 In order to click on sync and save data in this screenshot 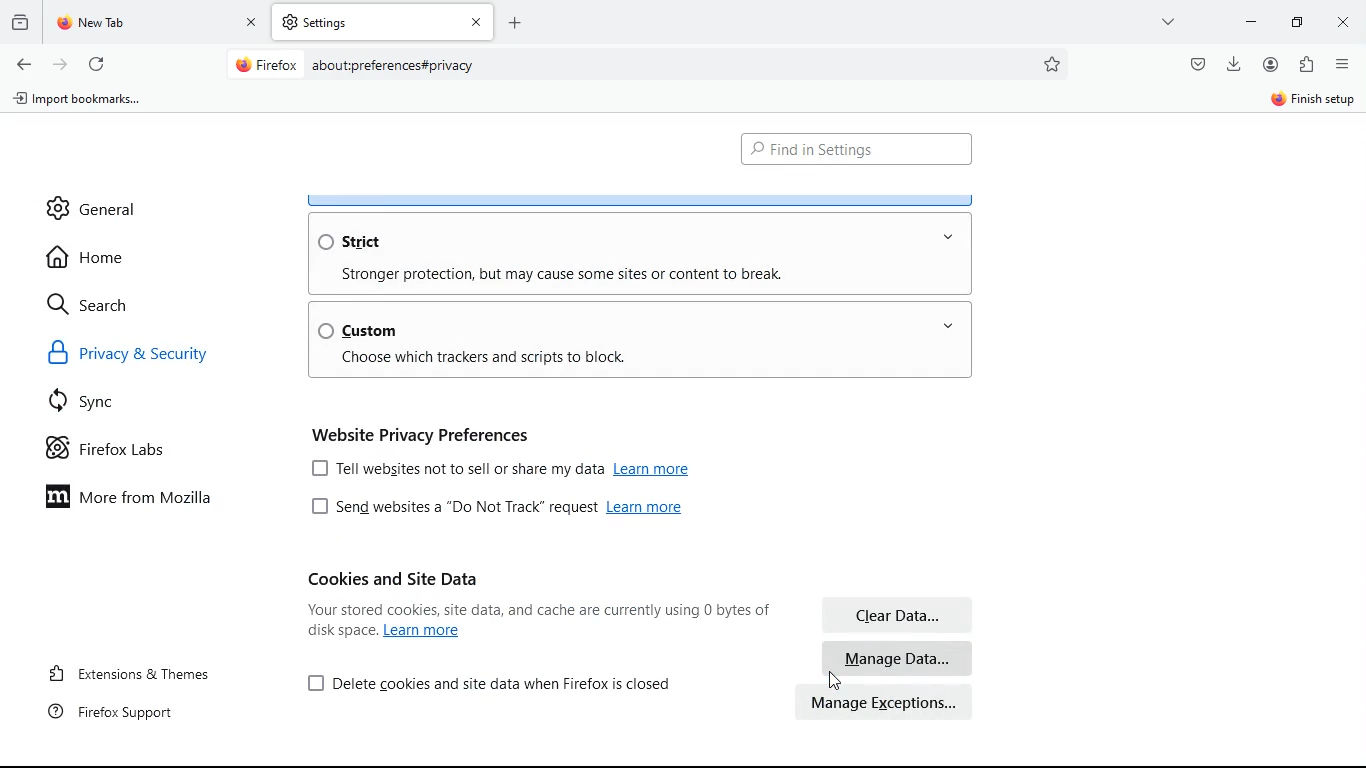, I will do `click(1167, 102)`.